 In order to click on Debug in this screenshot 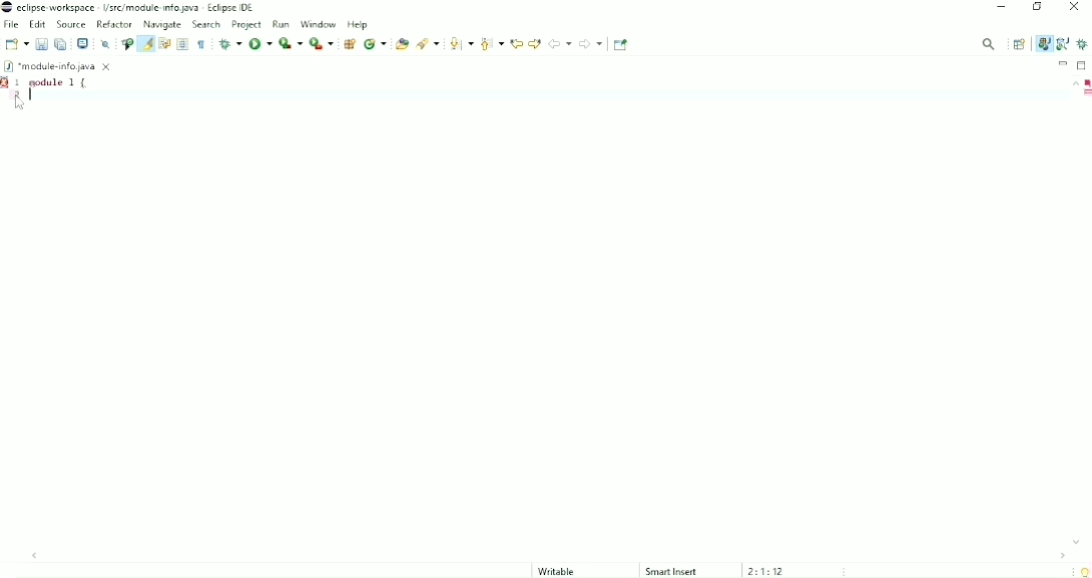, I will do `click(1083, 44)`.